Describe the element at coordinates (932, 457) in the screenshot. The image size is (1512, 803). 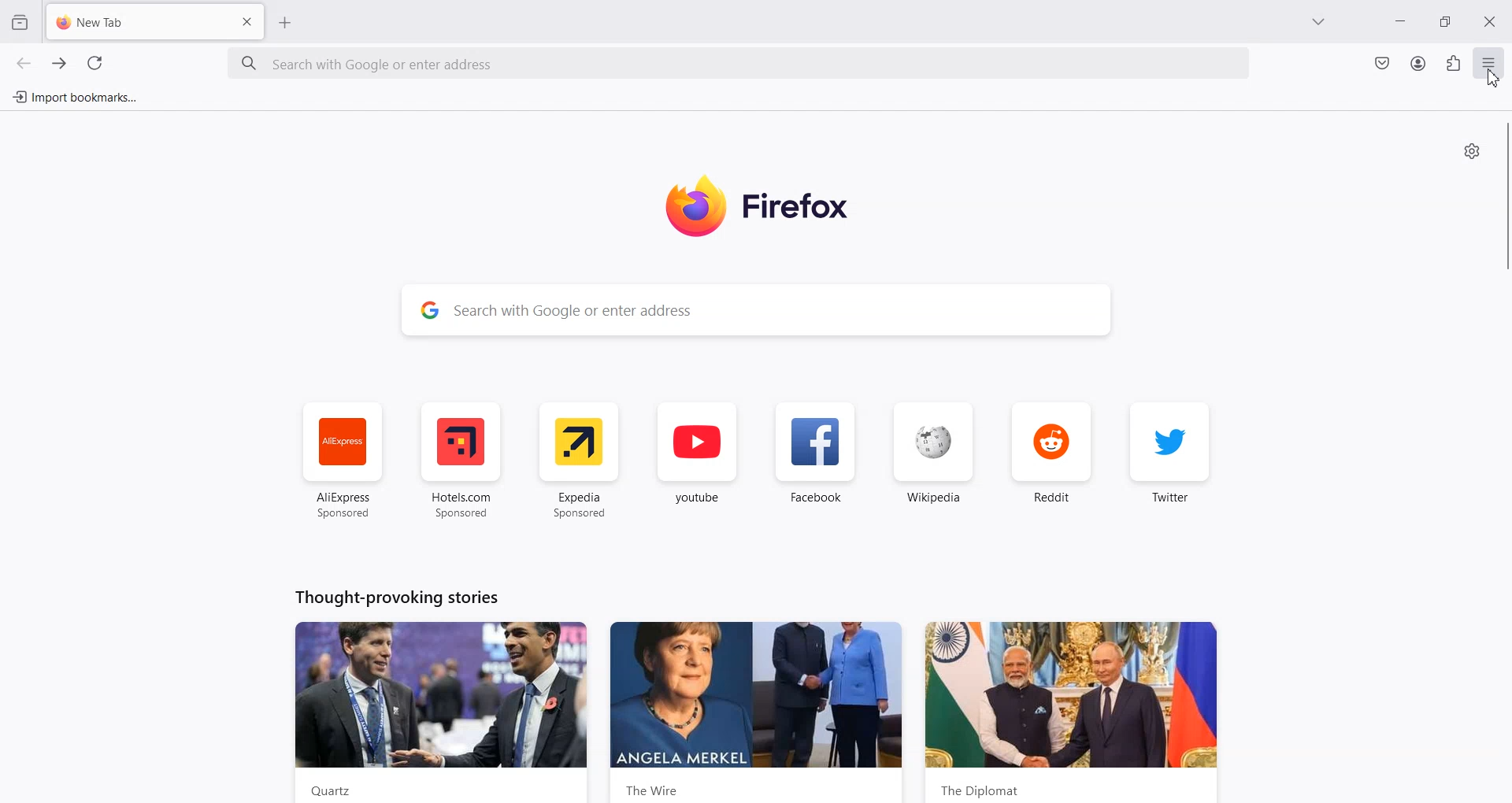
I see `Wikipedia` at that location.